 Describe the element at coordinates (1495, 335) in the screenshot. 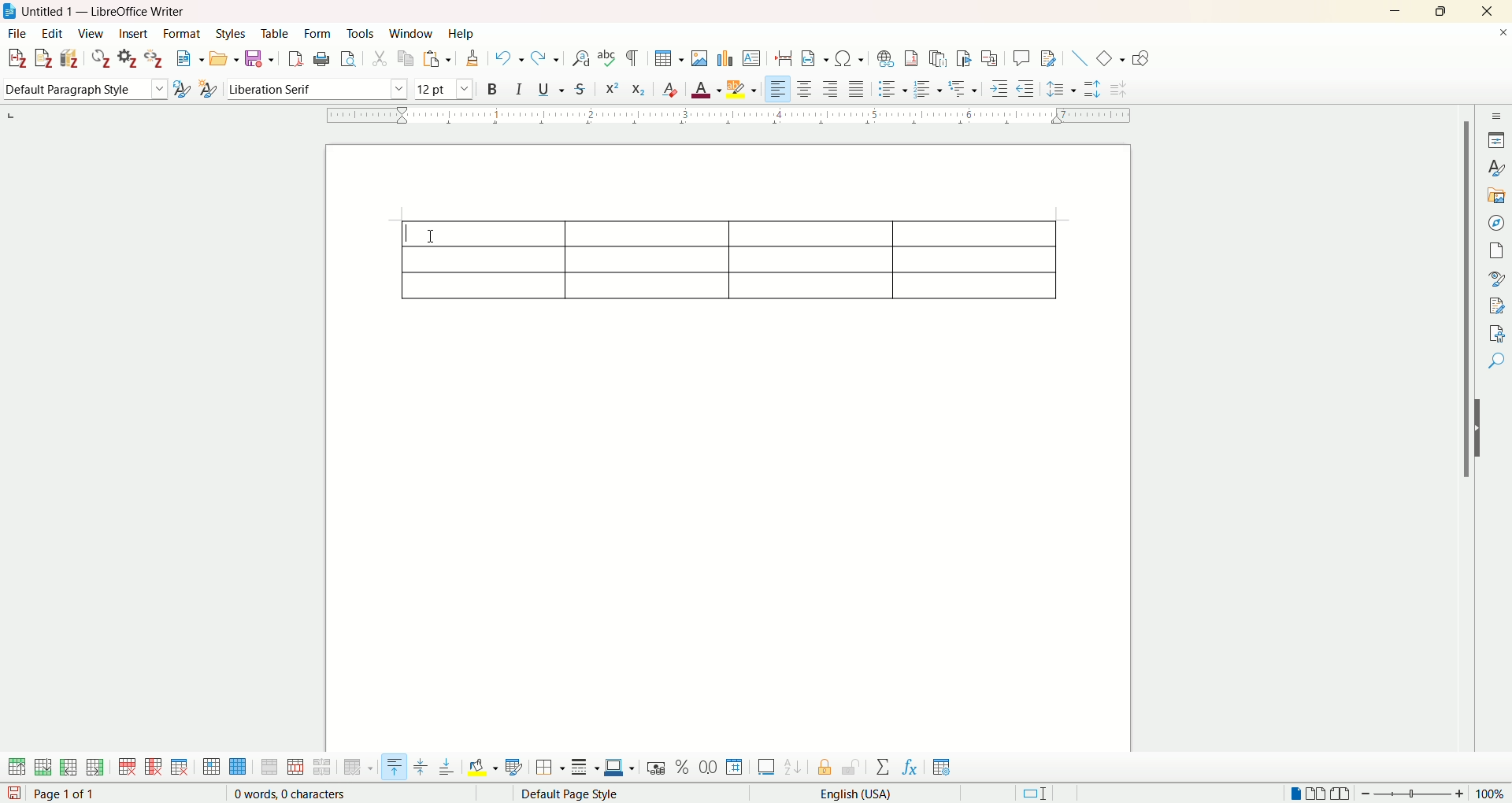

I see `accessibility check` at that location.